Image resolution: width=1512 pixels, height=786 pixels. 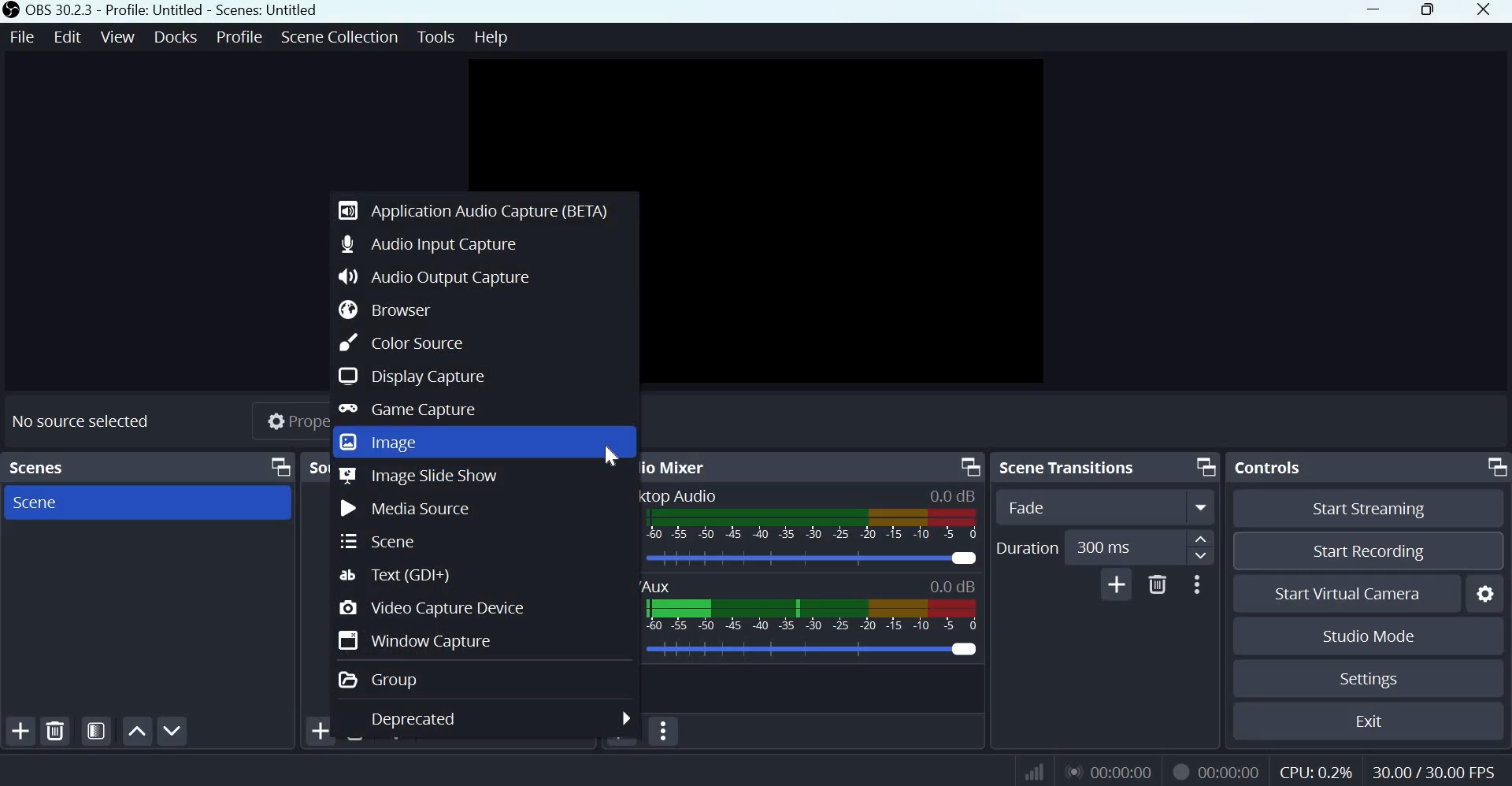 I want to click on Scene transitions, so click(x=1065, y=468).